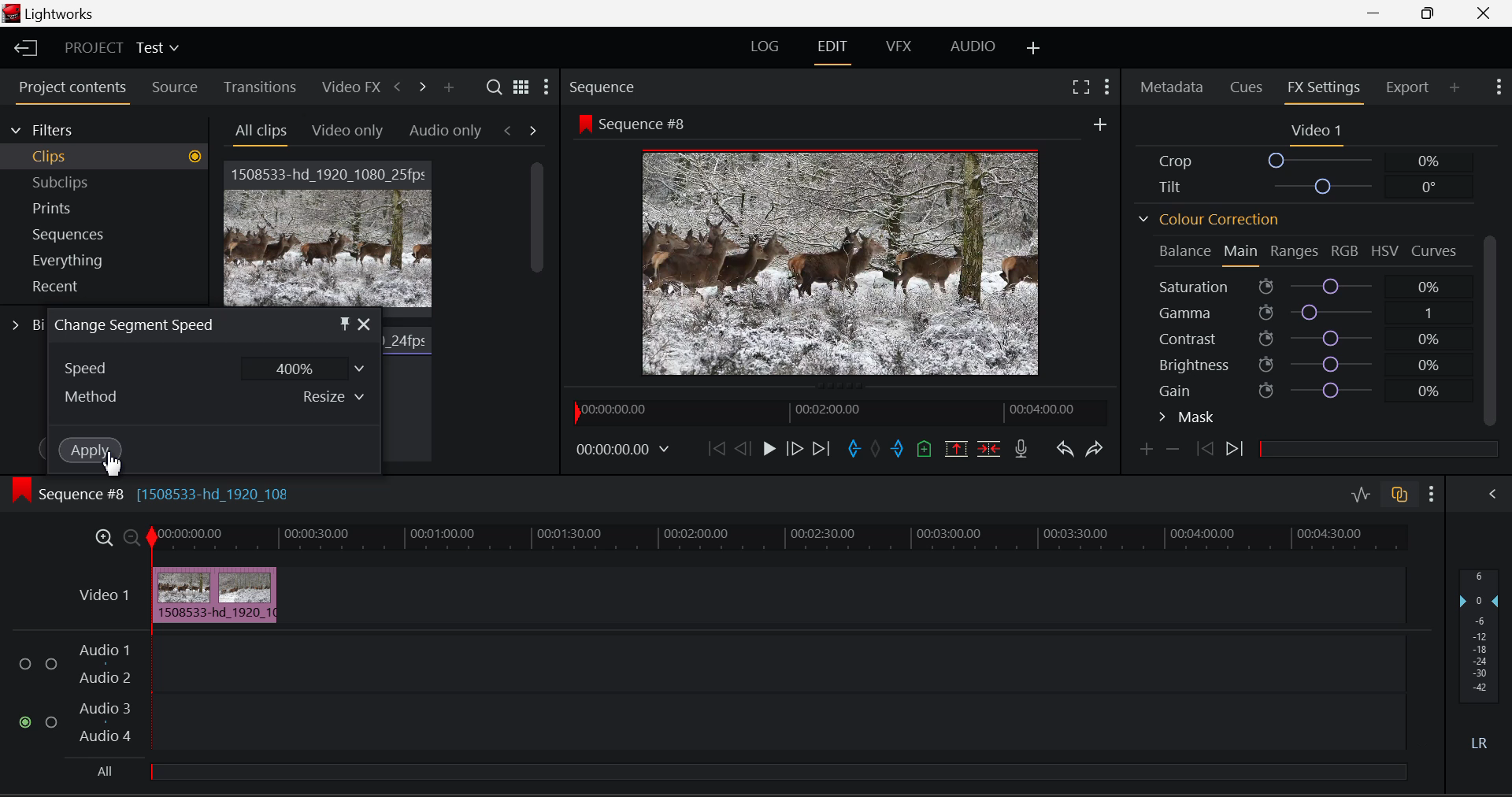 Image resolution: width=1512 pixels, height=797 pixels. Describe the element at coordinates (1033, 46) in the screenshot. I see `Add Layouts` at that location.